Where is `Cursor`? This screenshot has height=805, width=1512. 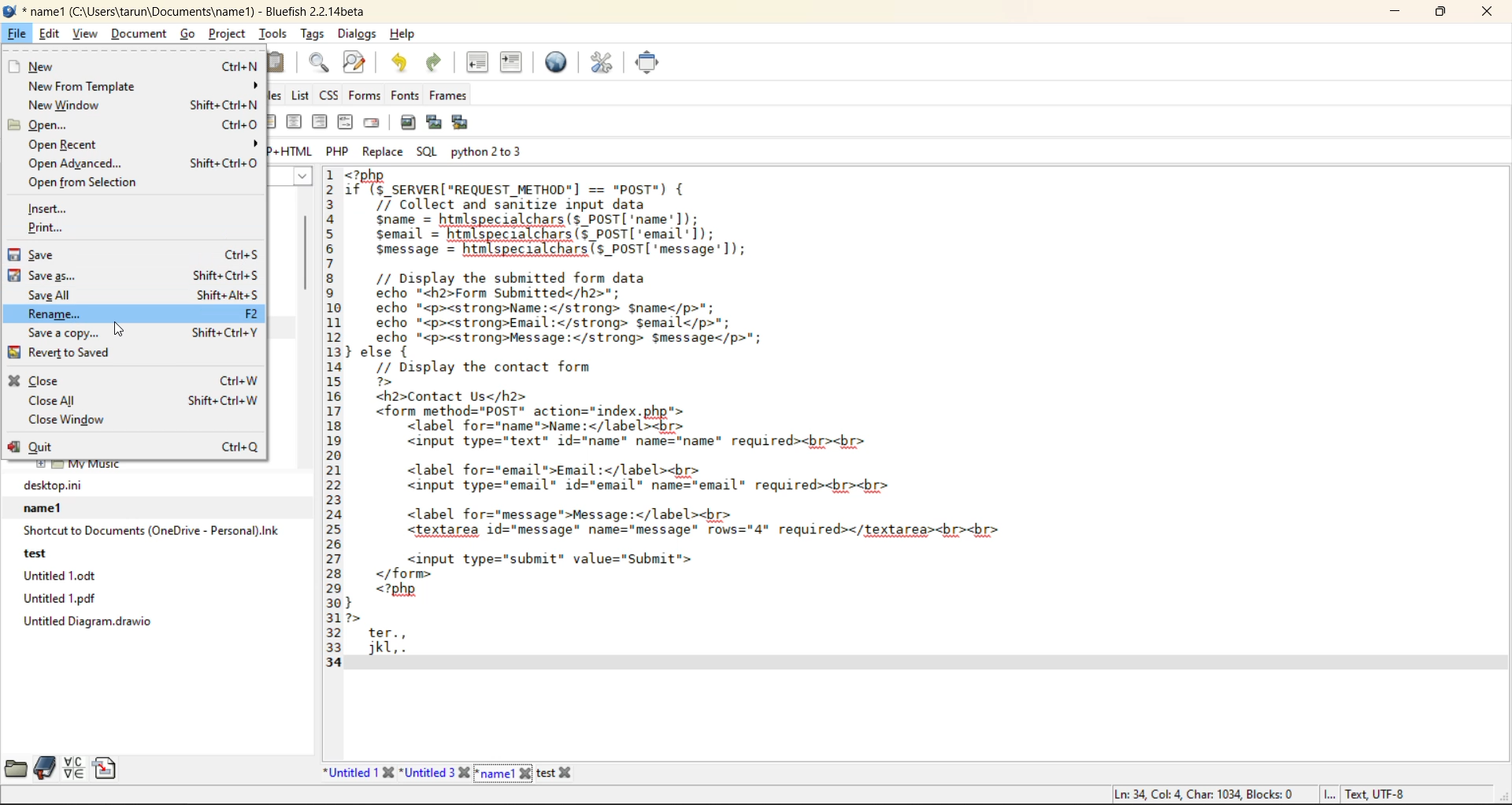
Cursor is located at coordinates (118, 329).